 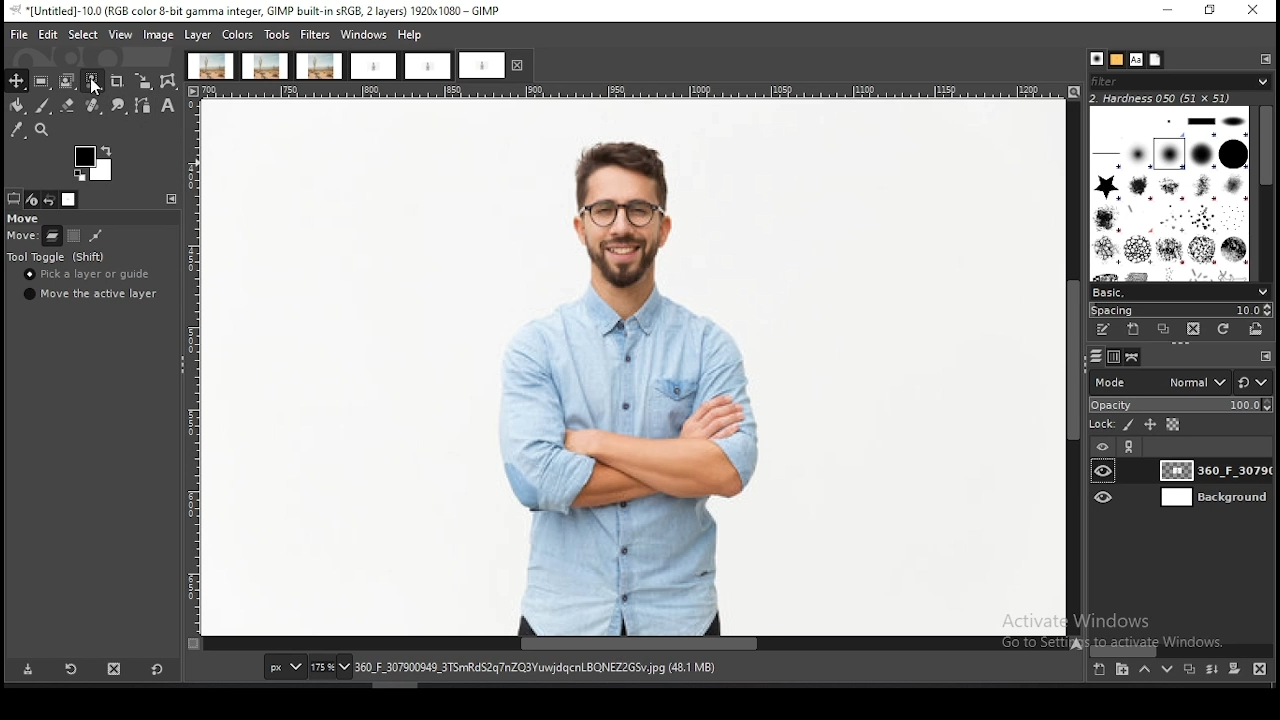 What do you see at coordinates (21, 235) in the screenshot?
I see `move` at bounding box center [21, 235].